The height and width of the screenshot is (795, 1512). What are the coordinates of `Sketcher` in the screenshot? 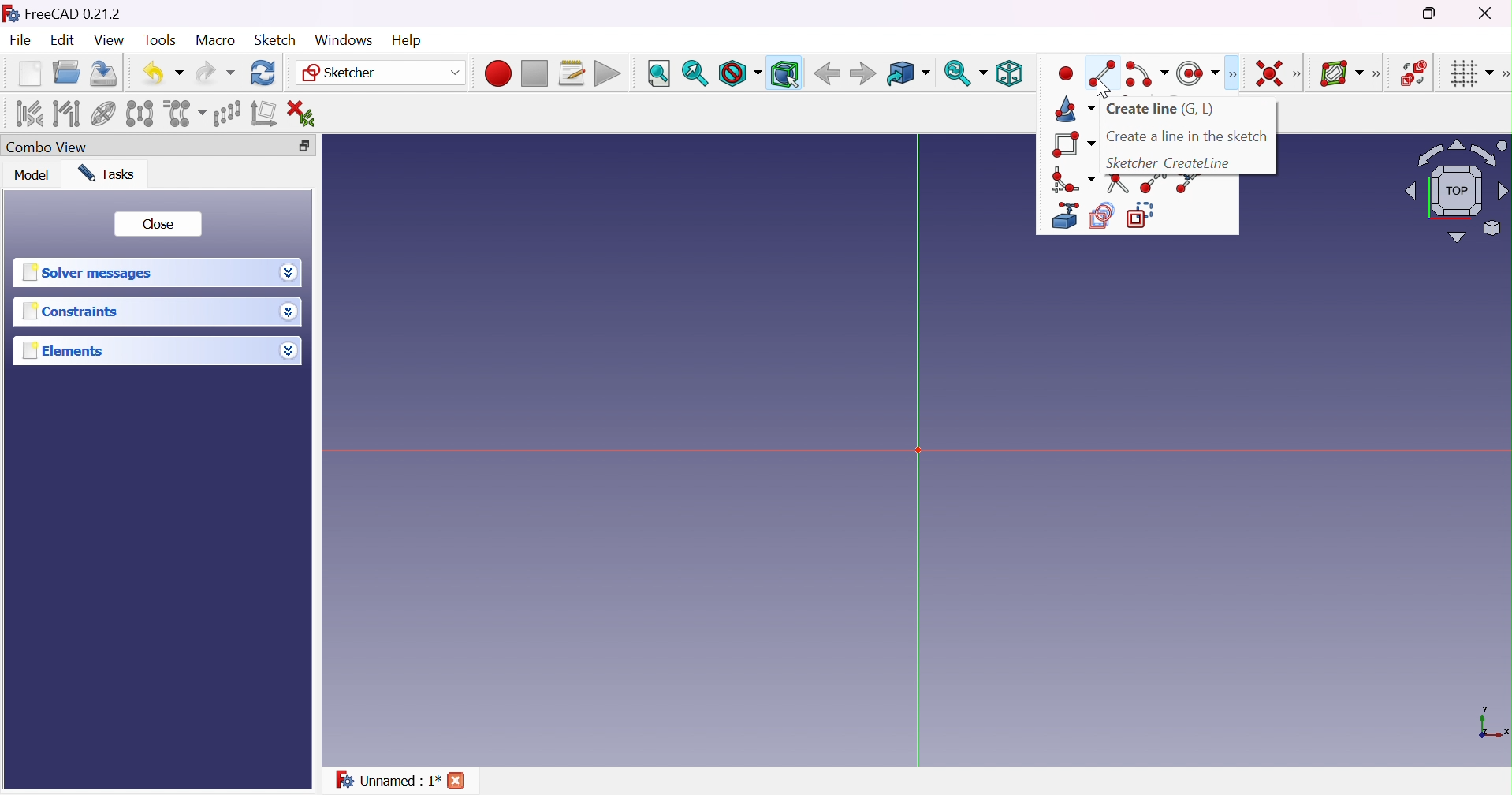 It's located at (382, 74).